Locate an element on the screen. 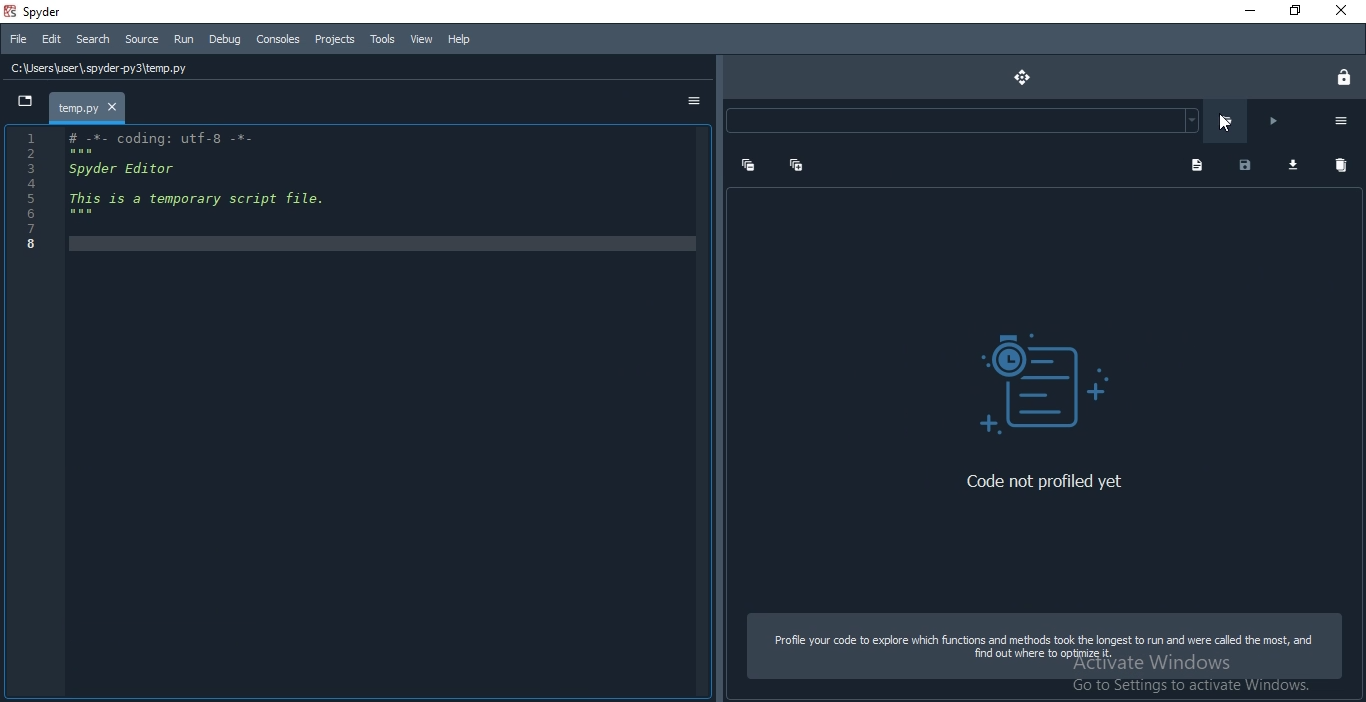 This screenshot has height=702, width=1366. Search is located at coordinates (93, 40).